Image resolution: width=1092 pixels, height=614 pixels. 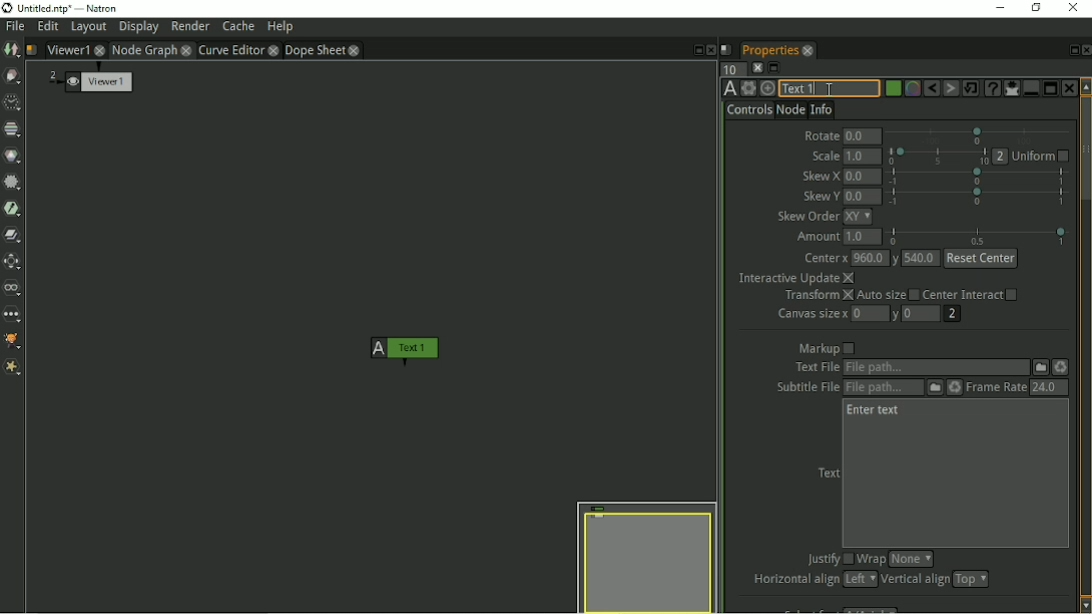 What do you see at coordinates (812, 316) in the screenshot?
I see `Canvas size` at bounding box center [812, 316].